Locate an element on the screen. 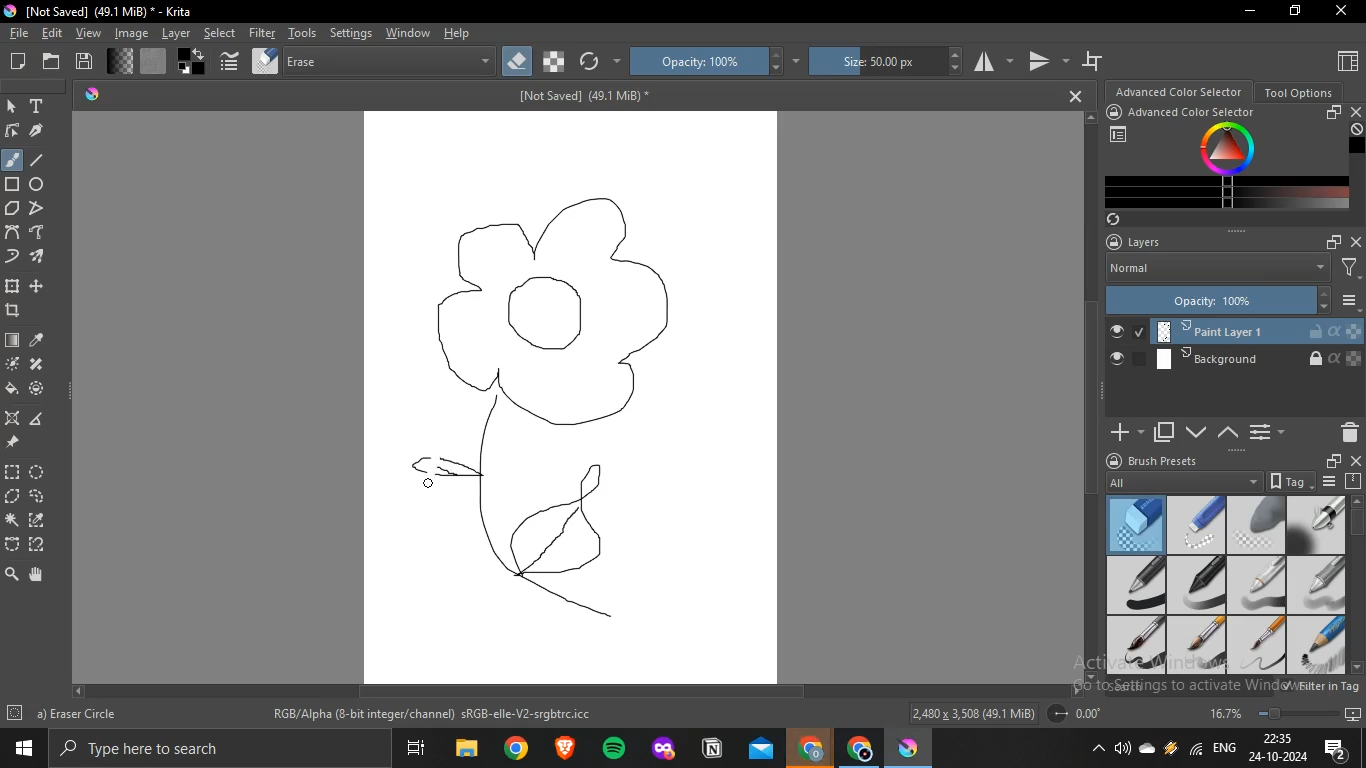  Opacity is located at coordinates (1218, 300).